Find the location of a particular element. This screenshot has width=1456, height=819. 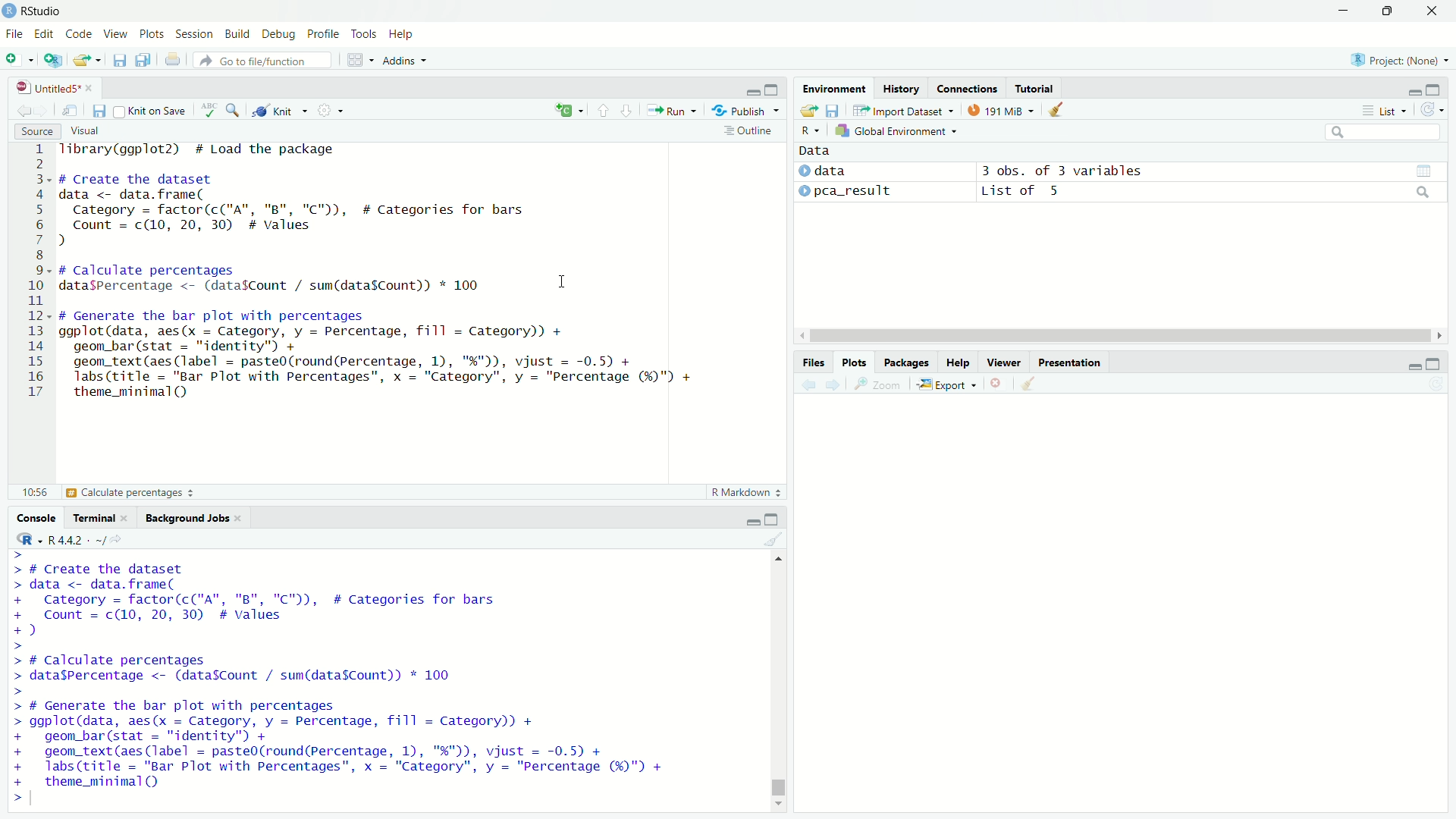

console is located at coordinates (35, 517).